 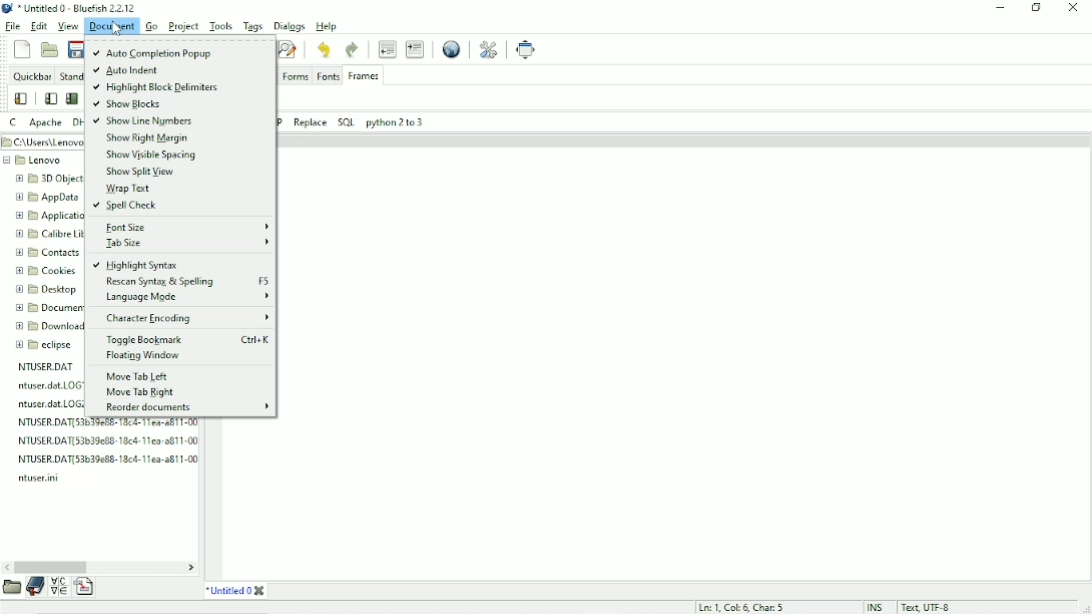 I want to click on Toggle bookmark, so click(x=188, y=340).